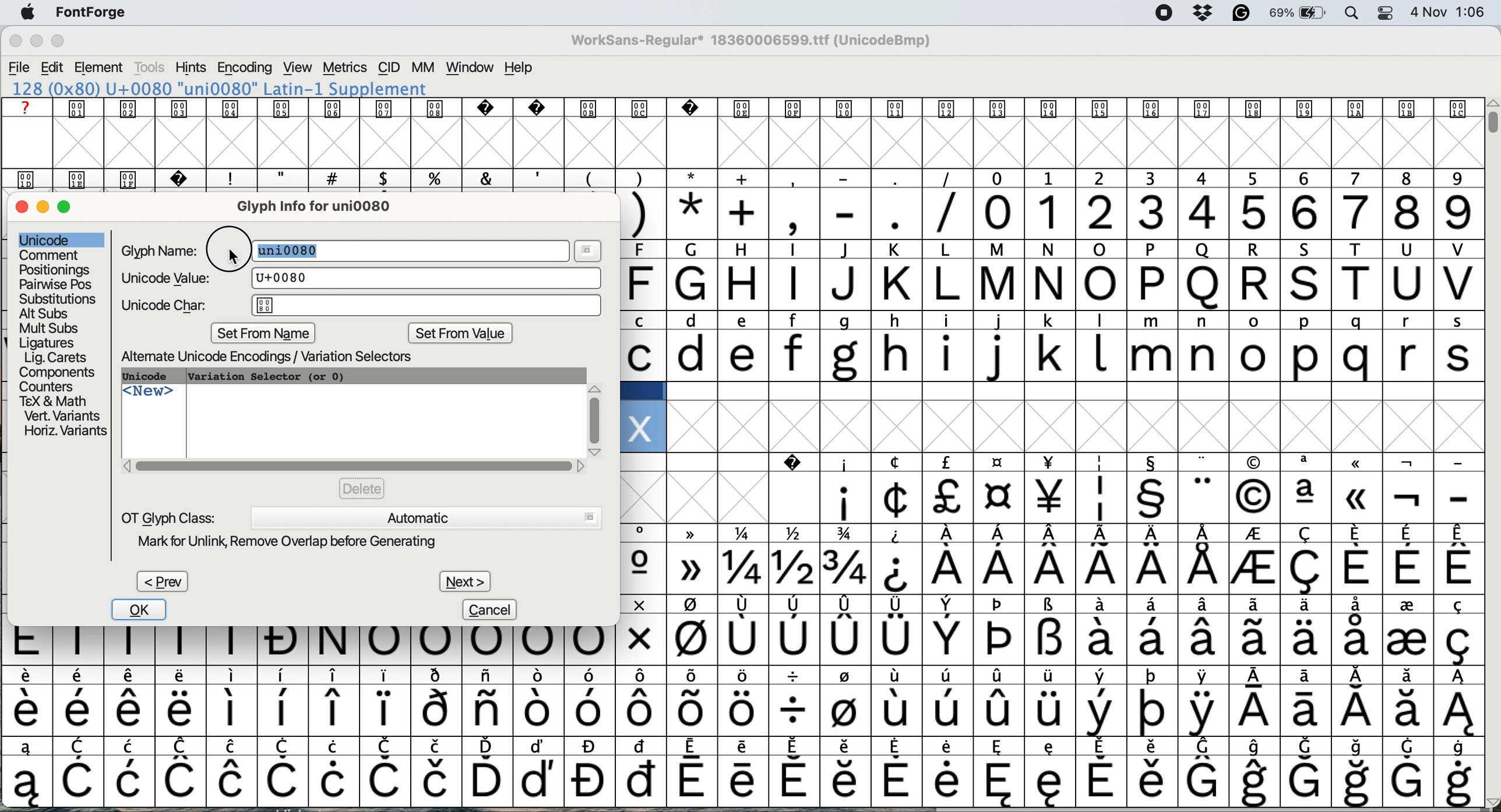 The width and height of the screenshot is (1501, 812). What do you see at coordinates (152, 377) in the screenshot?
I see `unicode` at bounding box center [152, 377].